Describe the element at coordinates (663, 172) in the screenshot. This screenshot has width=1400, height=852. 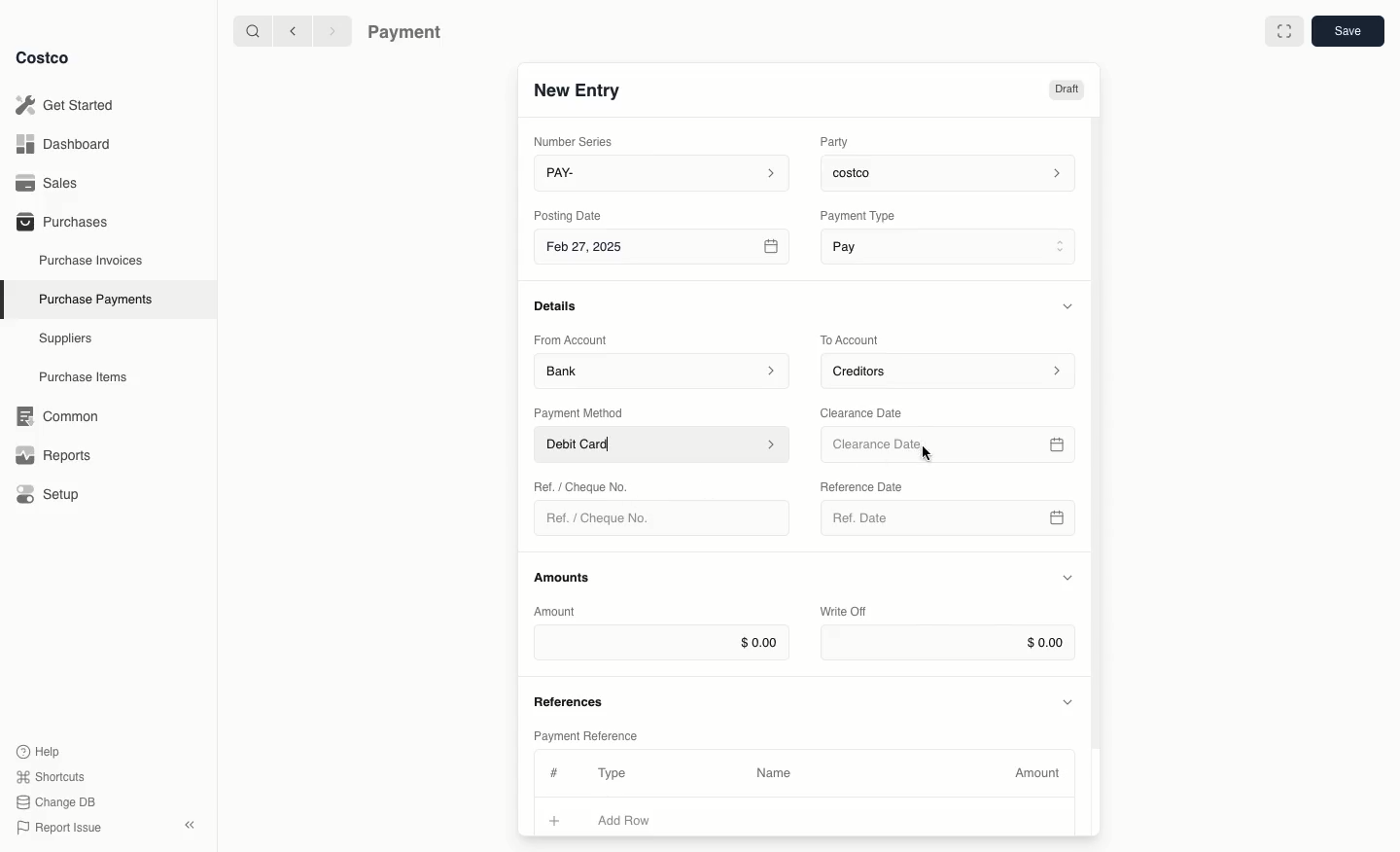
I see `PAY-` at that location.